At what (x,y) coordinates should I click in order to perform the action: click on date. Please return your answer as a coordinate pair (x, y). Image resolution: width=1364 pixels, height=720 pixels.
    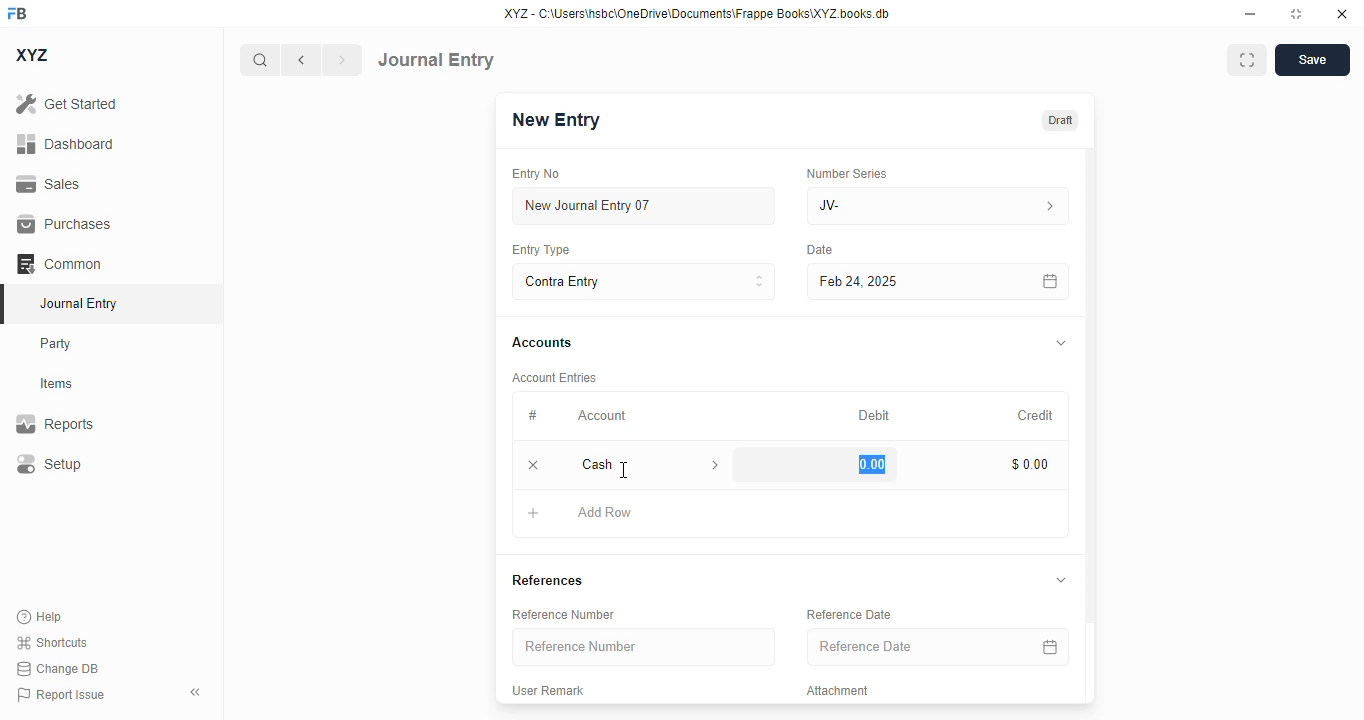
    Looking at the image, I should click on (820, 250).